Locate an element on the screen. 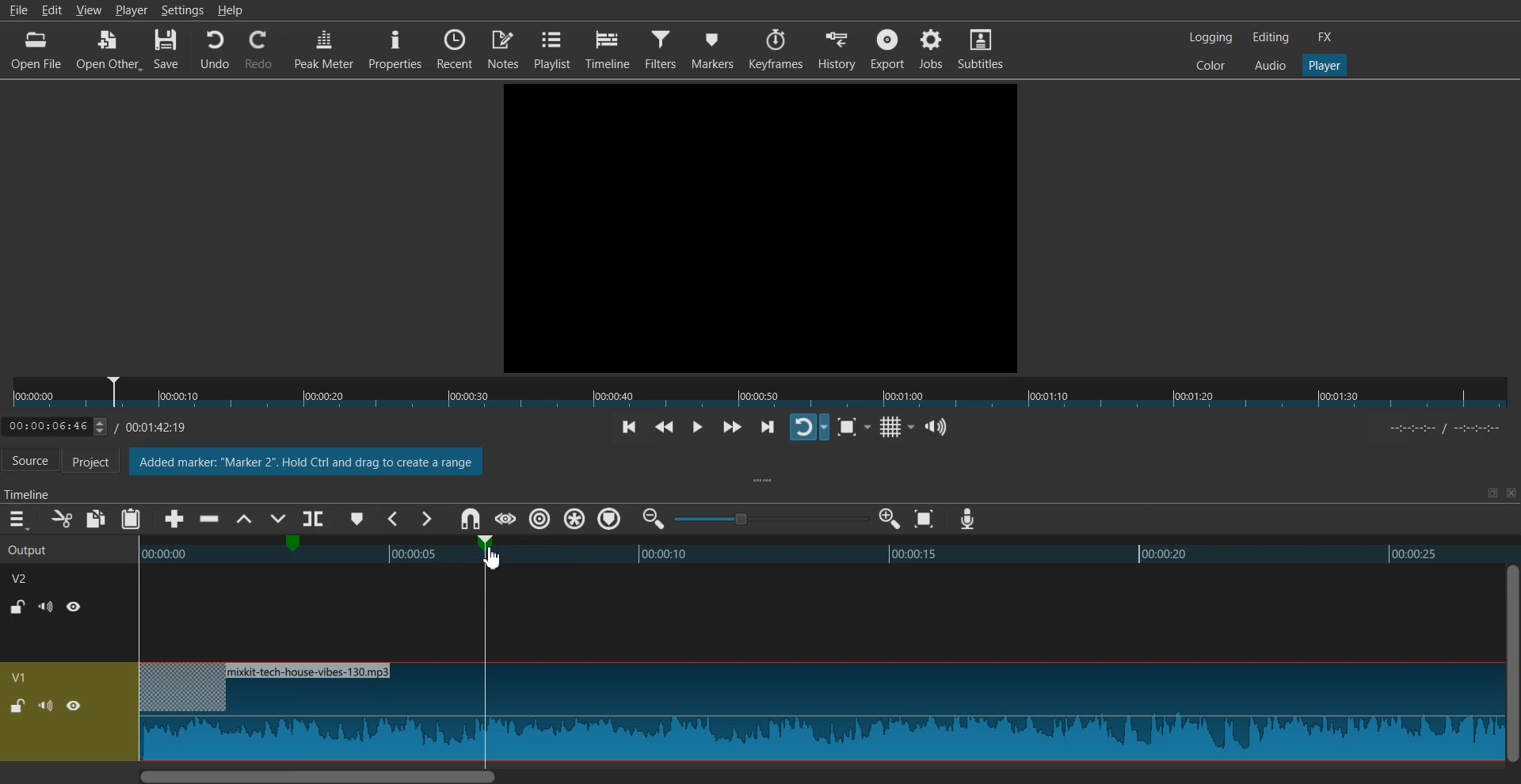 This screenshot has height=784, width=1521. Next Marker is located at coordinates (425, 519).